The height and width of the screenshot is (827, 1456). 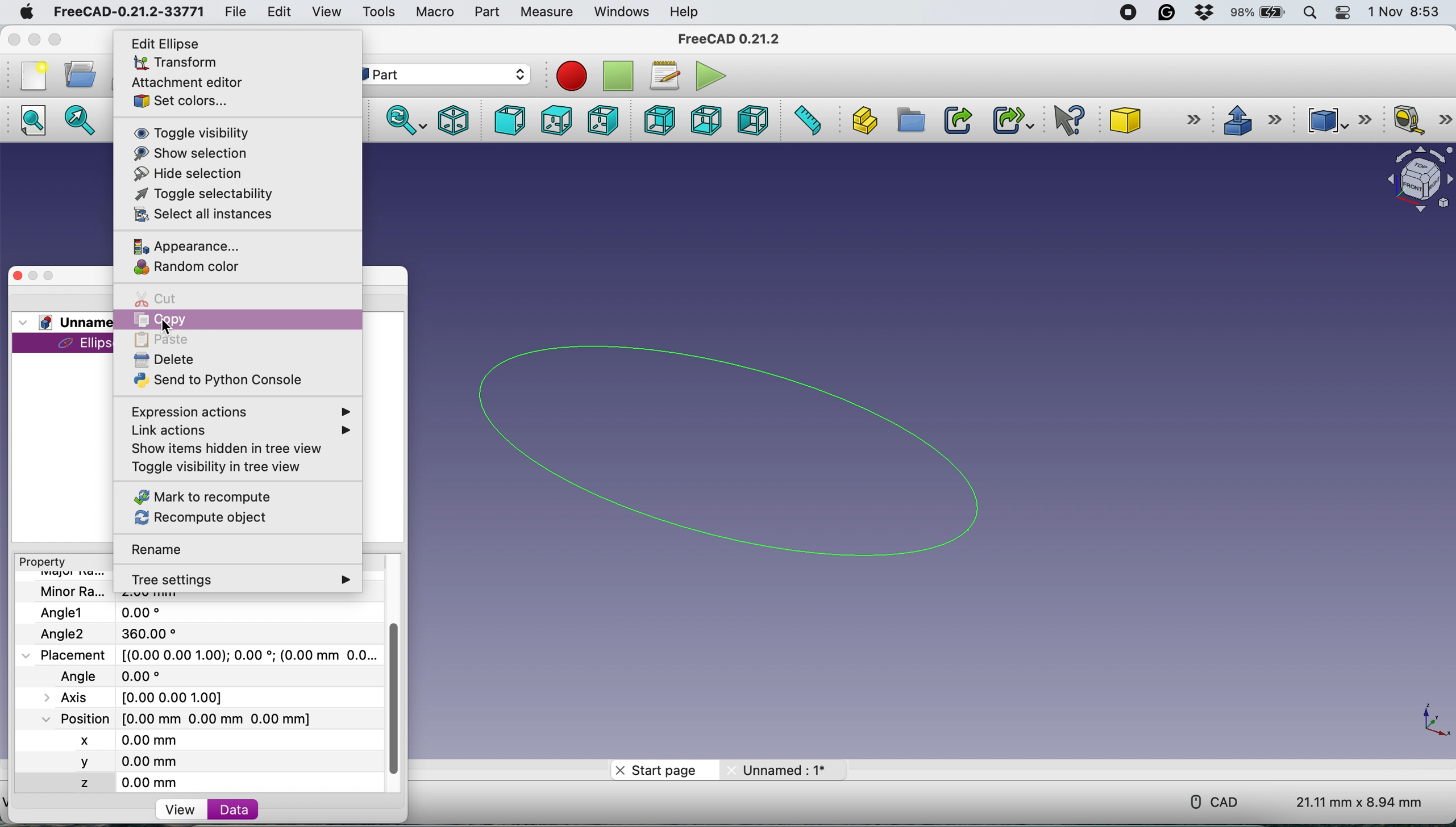 I want to click on xy coordinate, so click(x=1432, y=724).